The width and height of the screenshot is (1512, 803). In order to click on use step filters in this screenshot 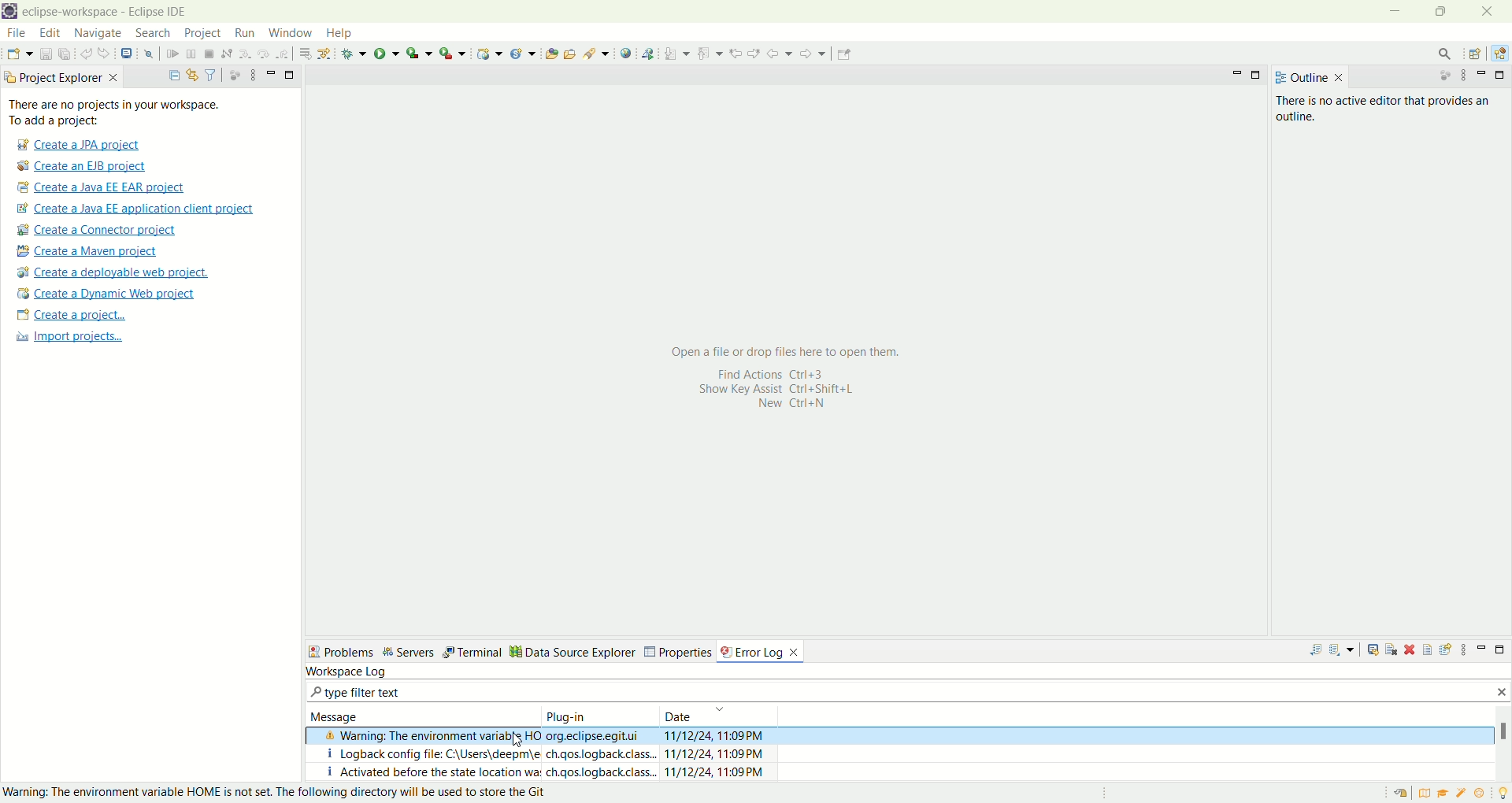, I will do `click(323, 54)`.